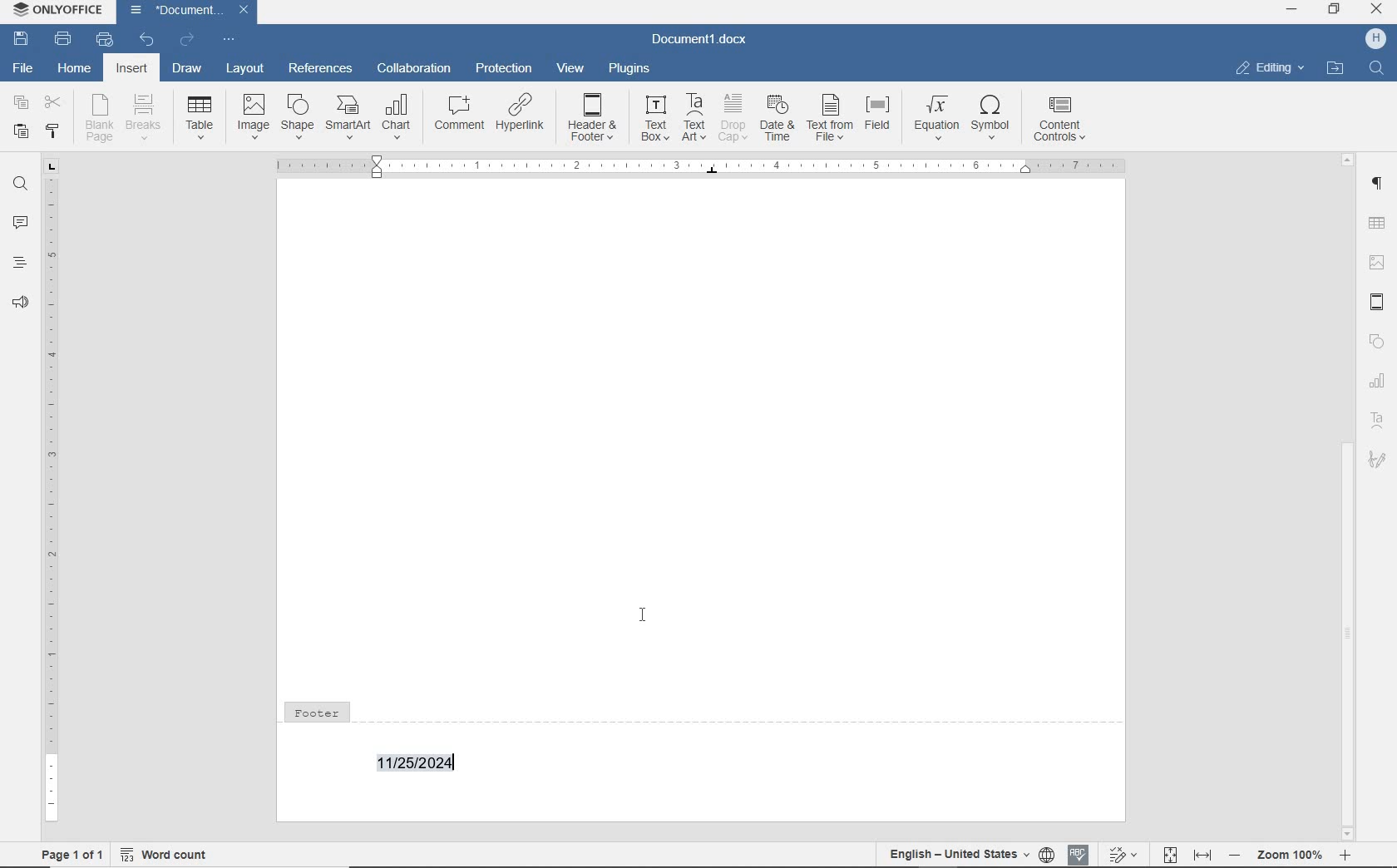 This screenshot has width=1397, height=868. What do you see at coordinates (320, 714) in the screenshot?
I see `Footer` at bounding box center [320, 714].